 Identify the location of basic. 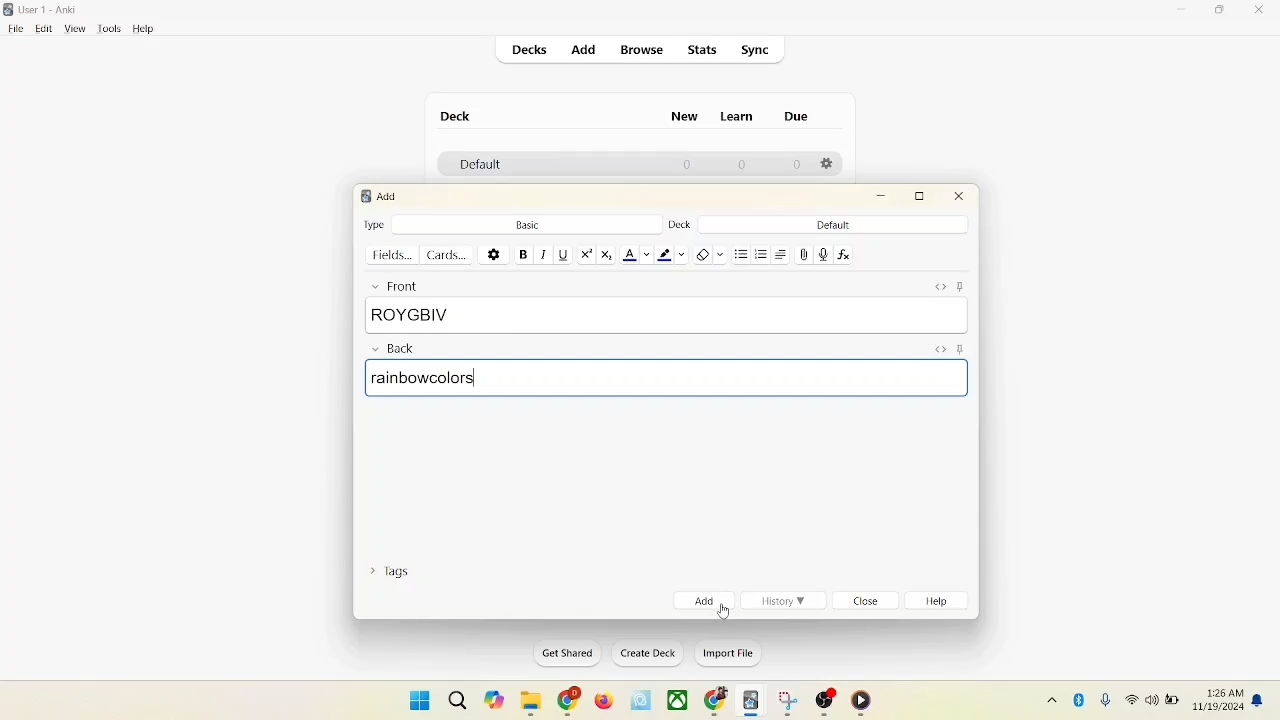
(527, 223).